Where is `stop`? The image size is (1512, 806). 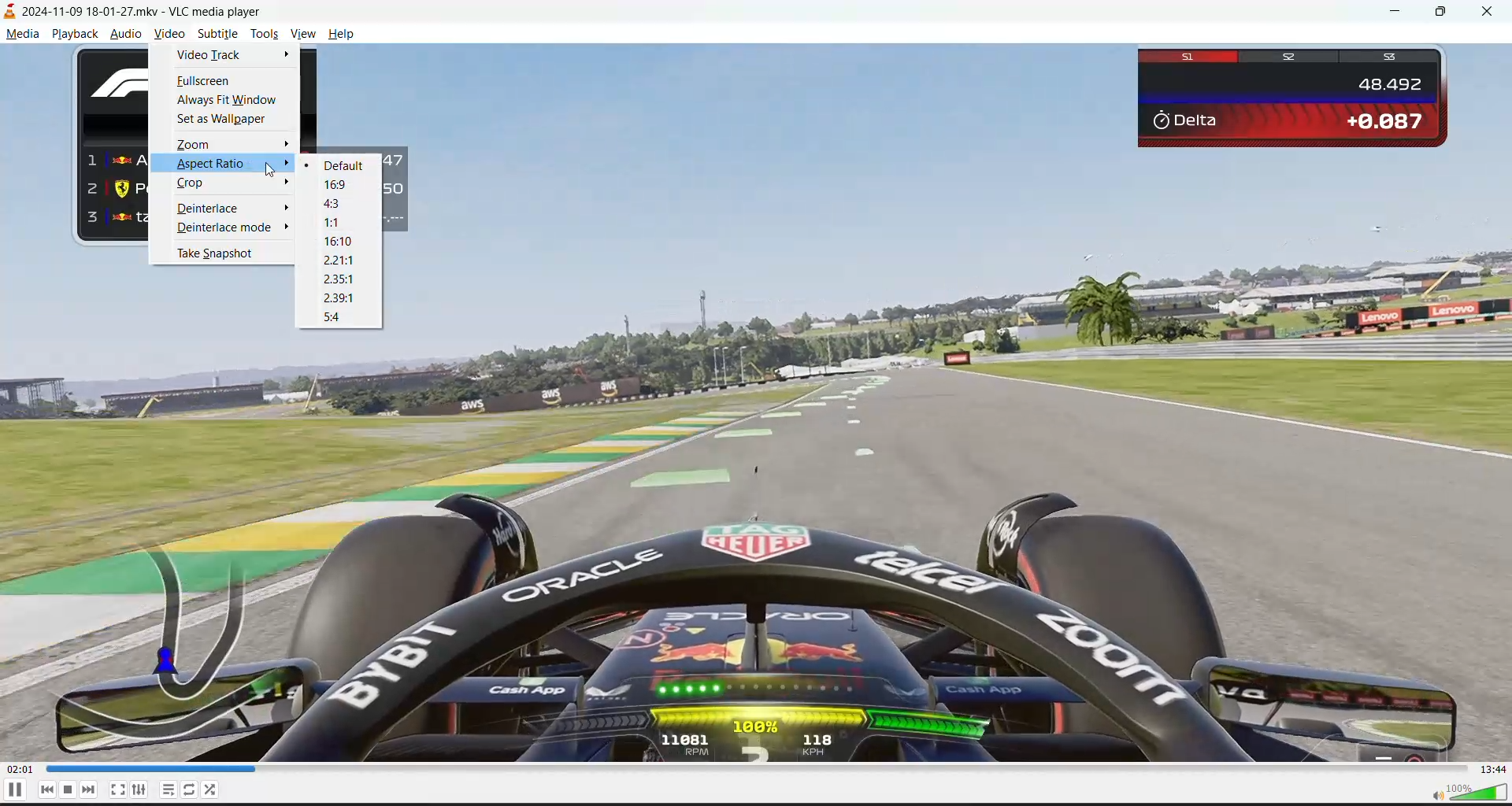
stop is located at coordinates (72, 789).